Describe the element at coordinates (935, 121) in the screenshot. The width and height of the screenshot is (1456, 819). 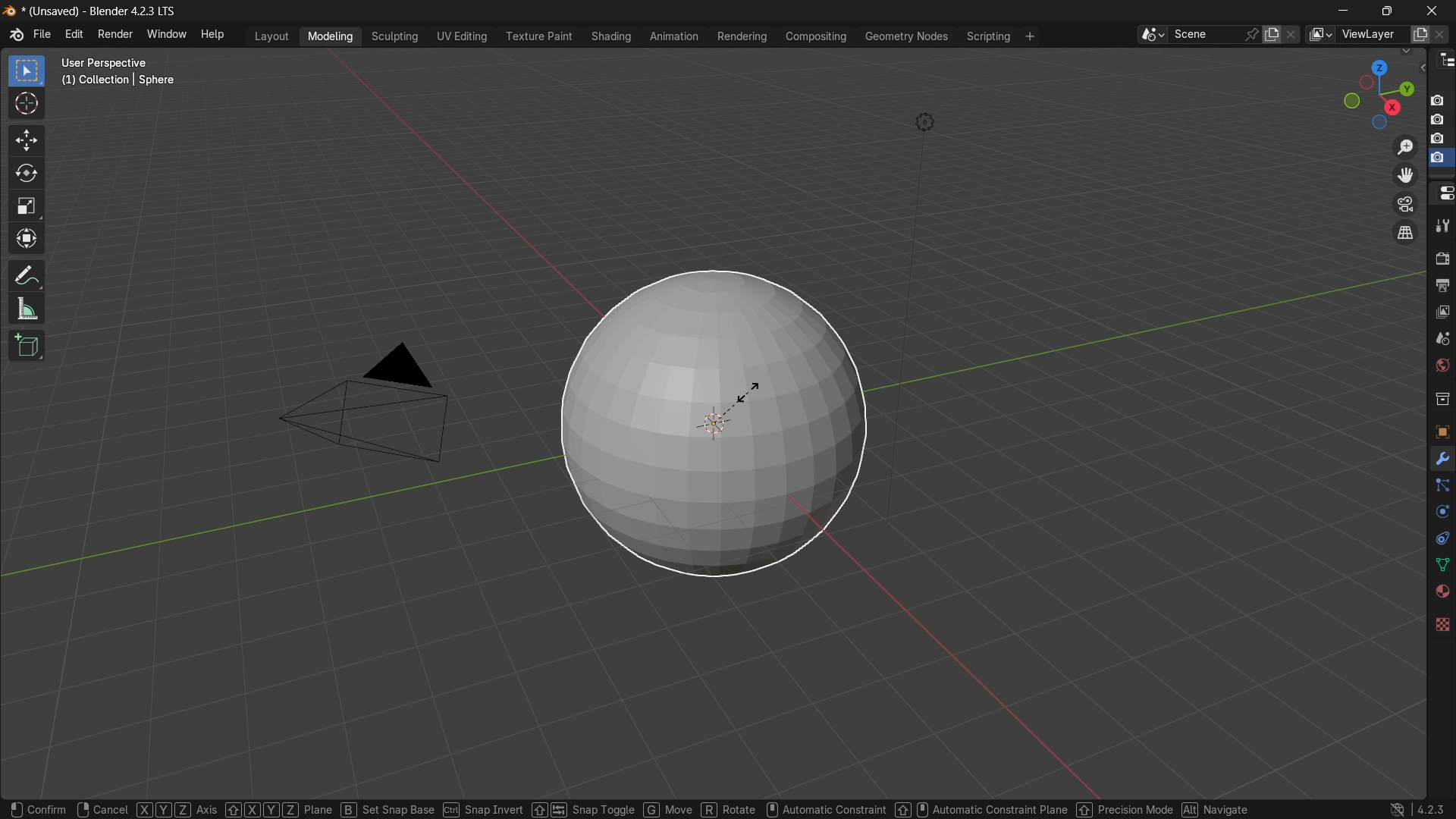
I see `light` at that location.